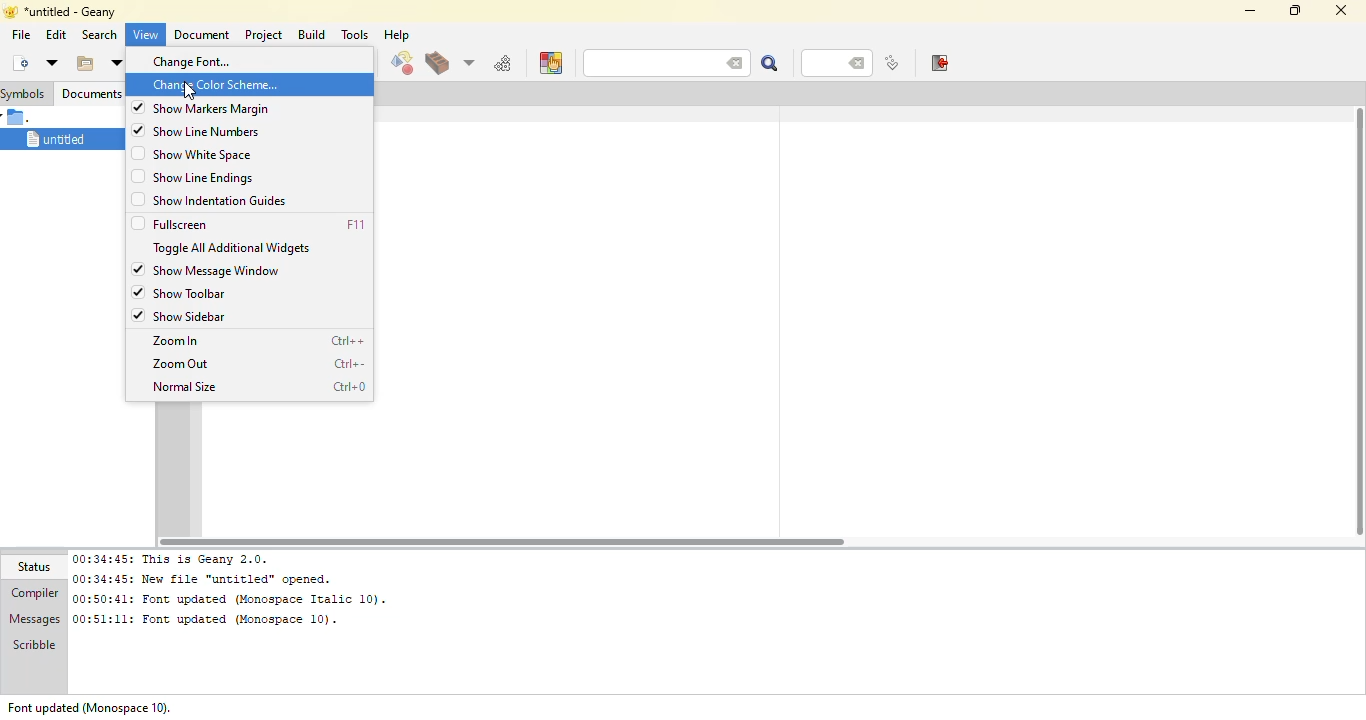 This screenshot has width=1366, height=720. What do you see at coordinates (34, 620) in the screenshot?
I see `messages` at bounding box center [34, 620].